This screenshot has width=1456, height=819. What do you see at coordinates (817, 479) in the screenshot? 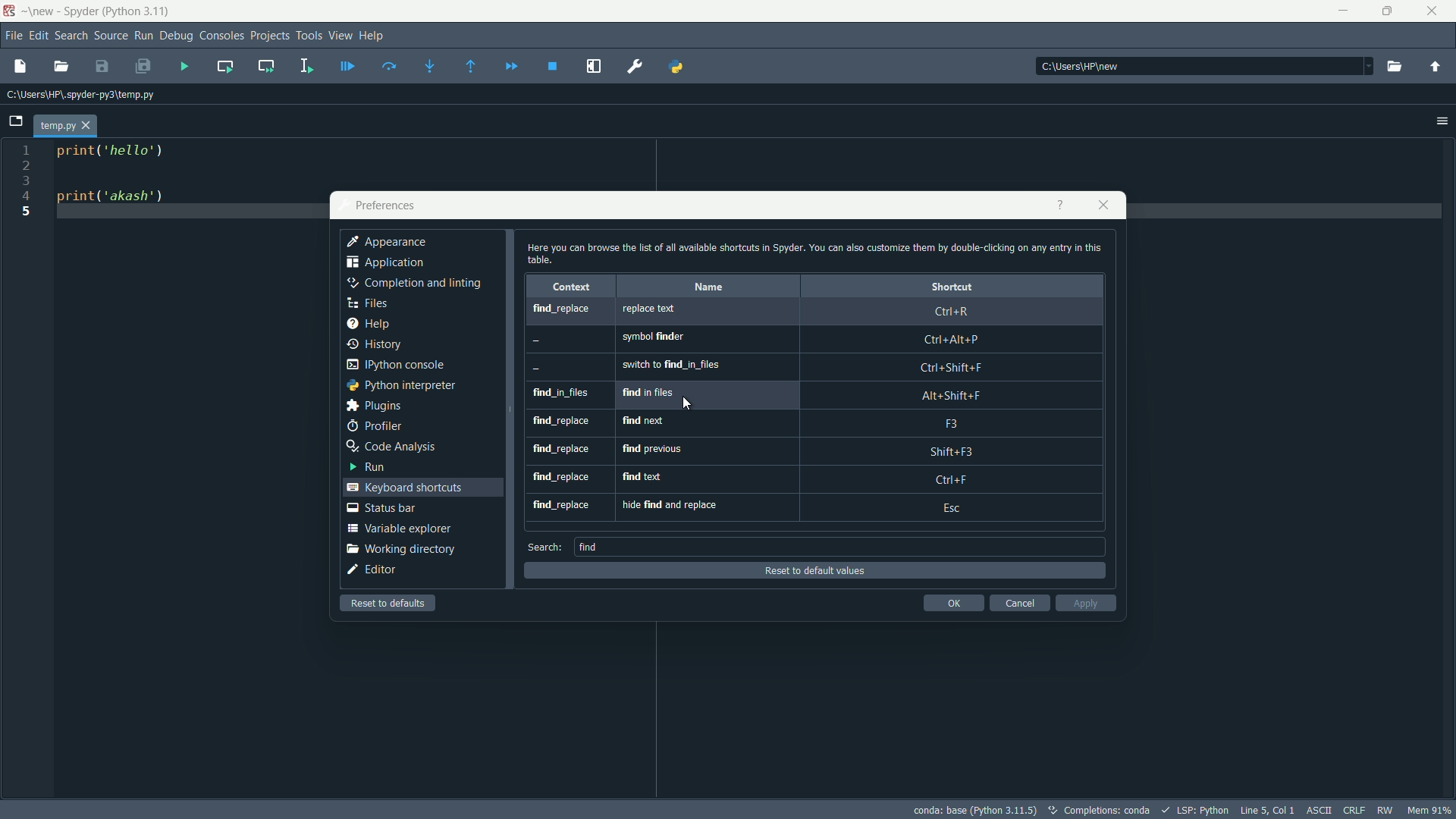
I see `find_replace, find text, ctrl+f` at bounding box center [817, 479].